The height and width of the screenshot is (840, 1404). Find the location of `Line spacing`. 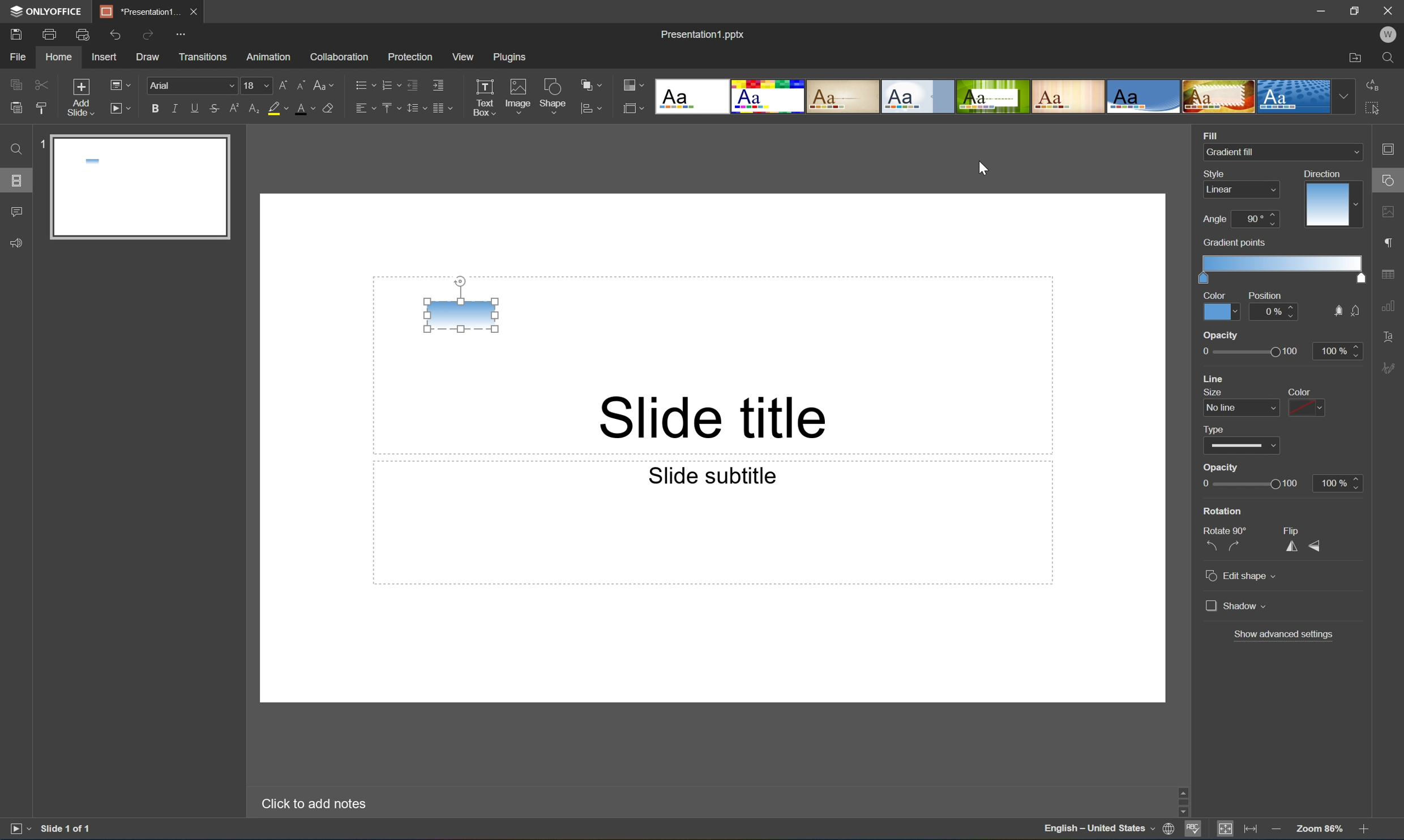

Line spacing is located at coordinates (415, 108).